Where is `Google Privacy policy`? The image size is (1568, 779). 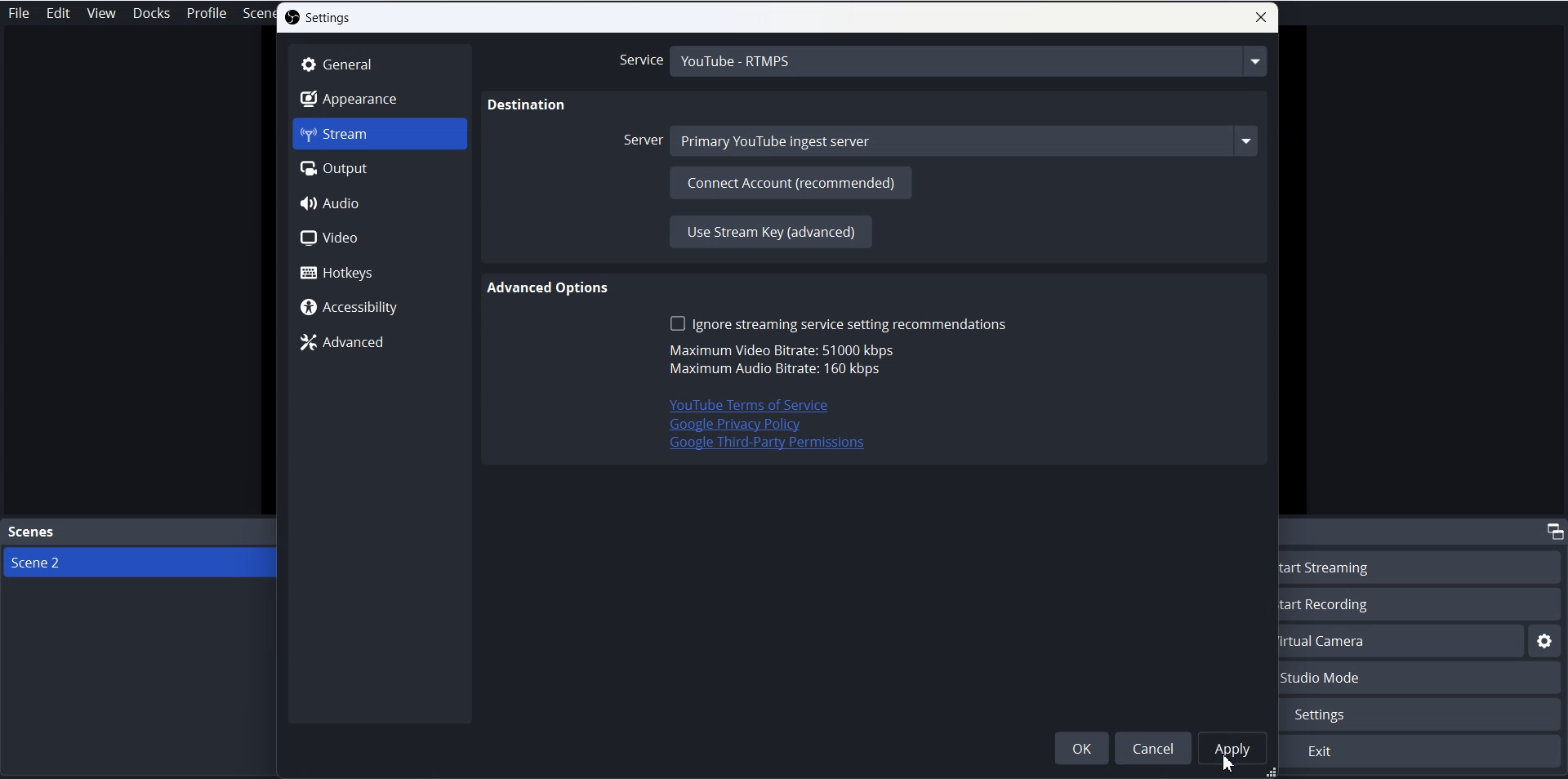
Google Privacy policy is located at coordinates (735, 425).